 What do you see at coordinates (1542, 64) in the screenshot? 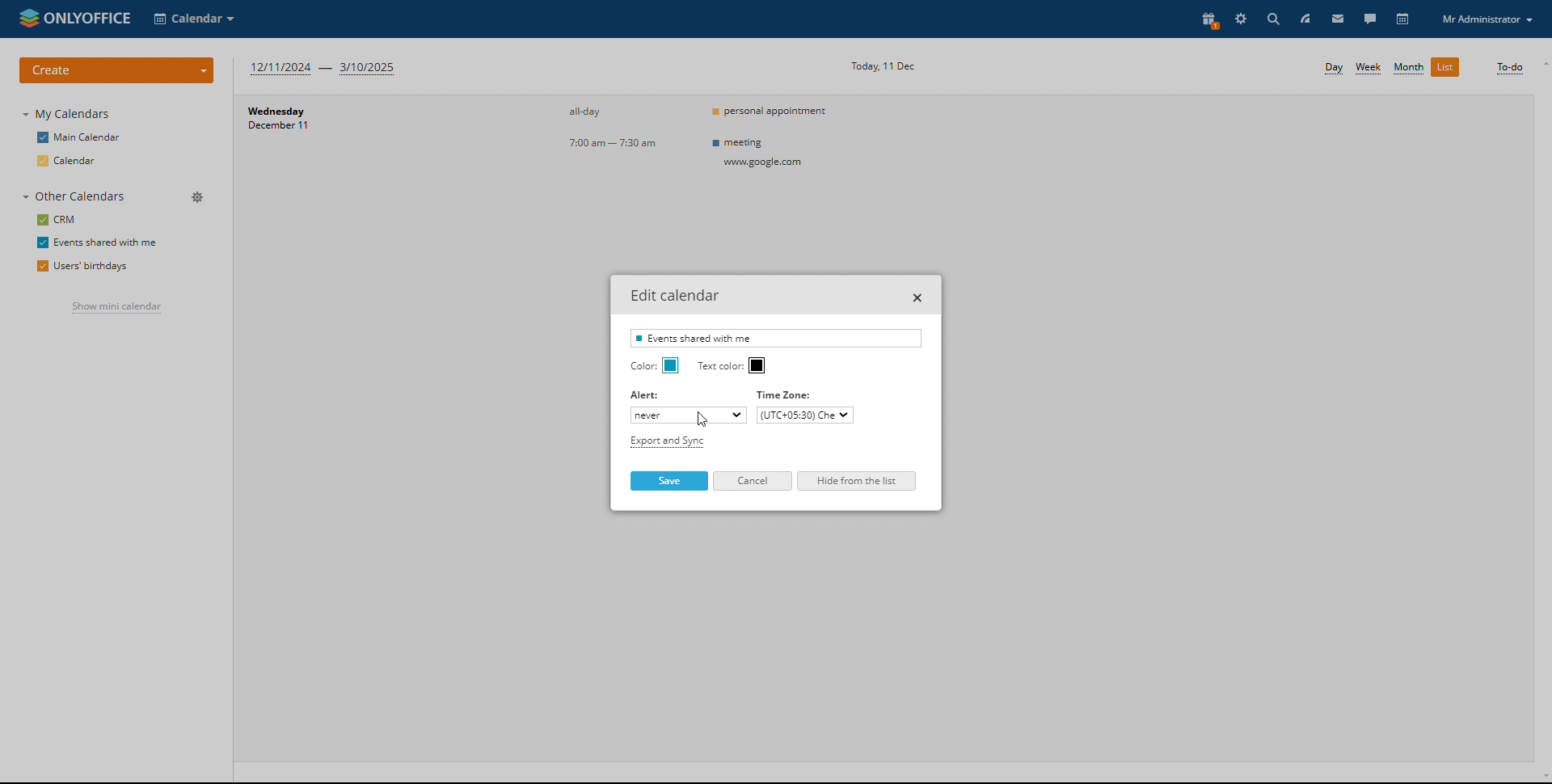
I see `scroll up` at bounding box center [1542, 64].